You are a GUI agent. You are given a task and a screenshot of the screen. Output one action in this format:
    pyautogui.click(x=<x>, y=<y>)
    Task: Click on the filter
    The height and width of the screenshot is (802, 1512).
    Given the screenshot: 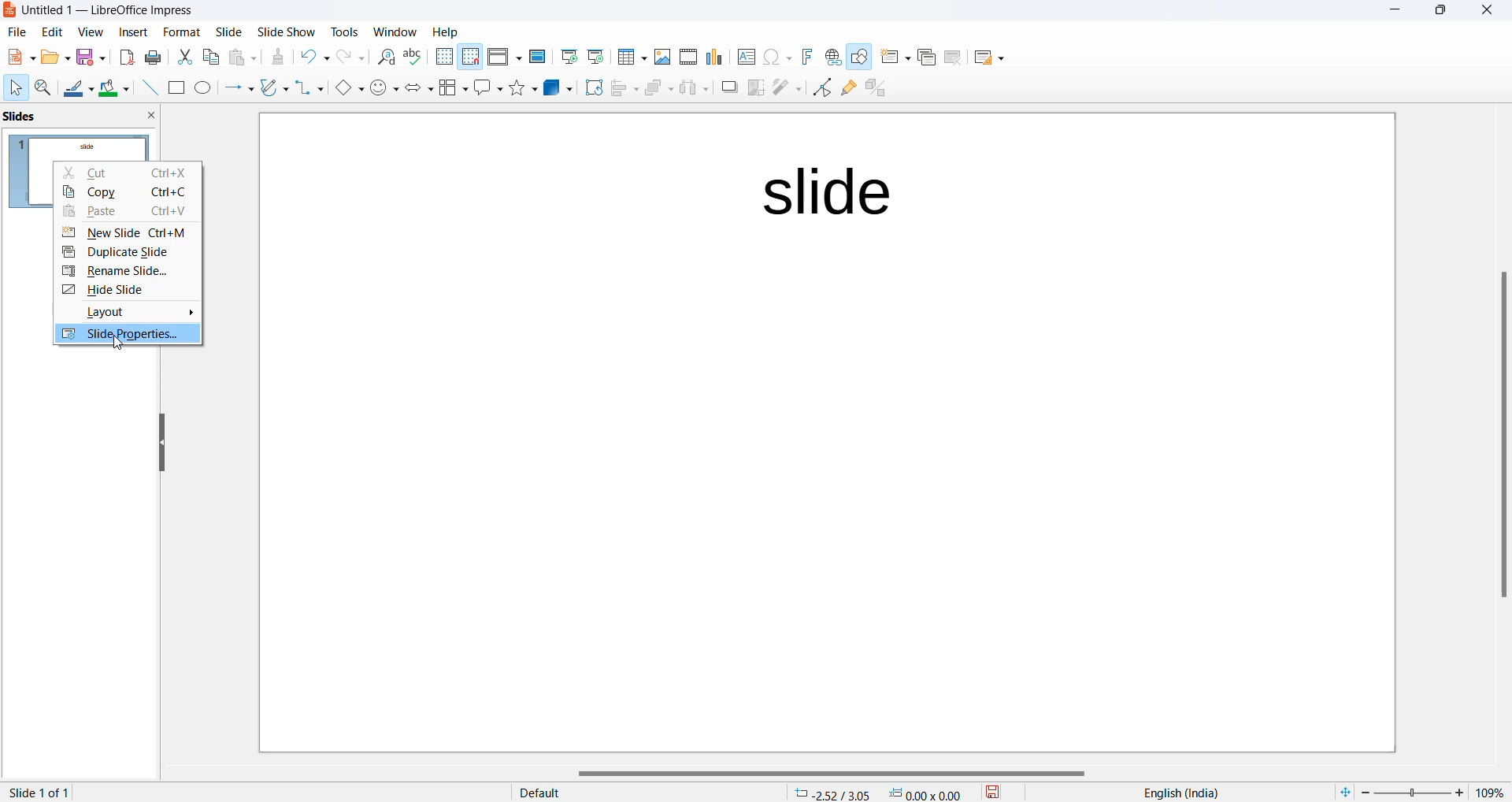 What is the action you would take?
    pyautogui.click(x=787, y=86)
    